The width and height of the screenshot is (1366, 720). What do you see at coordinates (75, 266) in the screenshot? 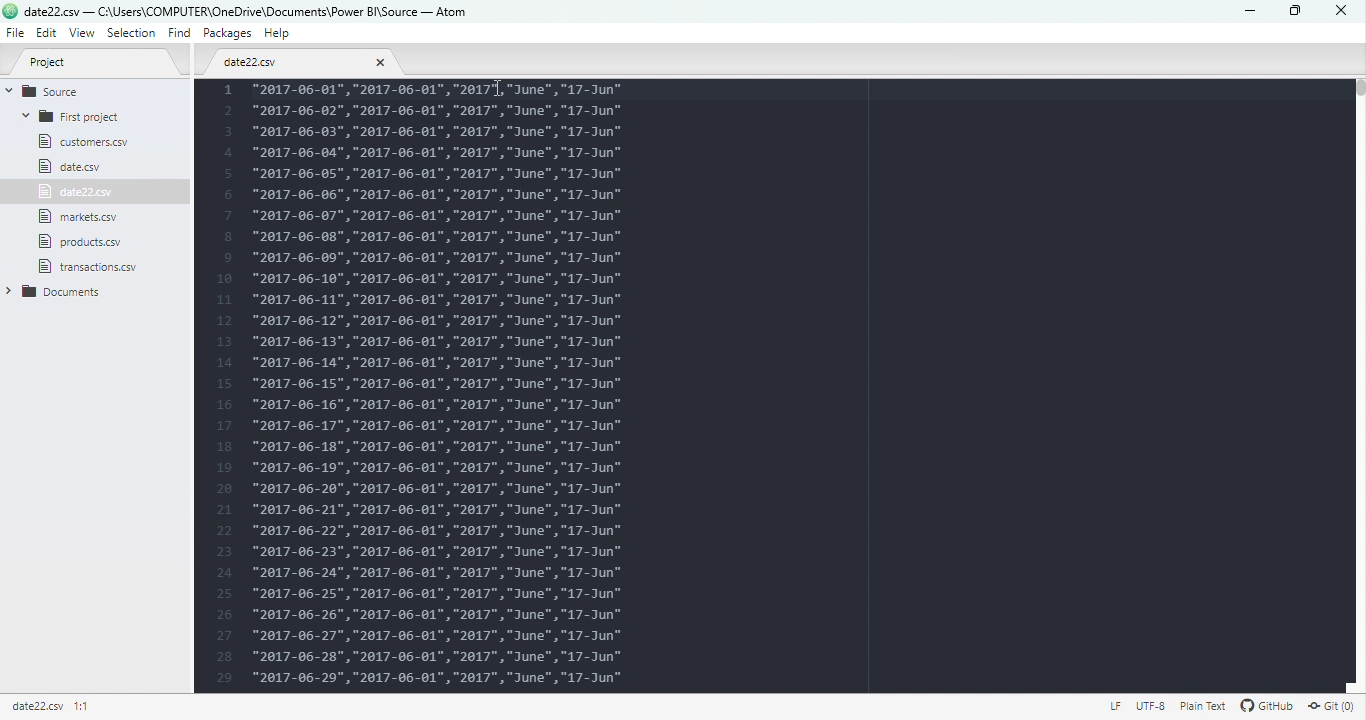
I see `Folder` at bounding box center [75, 266].